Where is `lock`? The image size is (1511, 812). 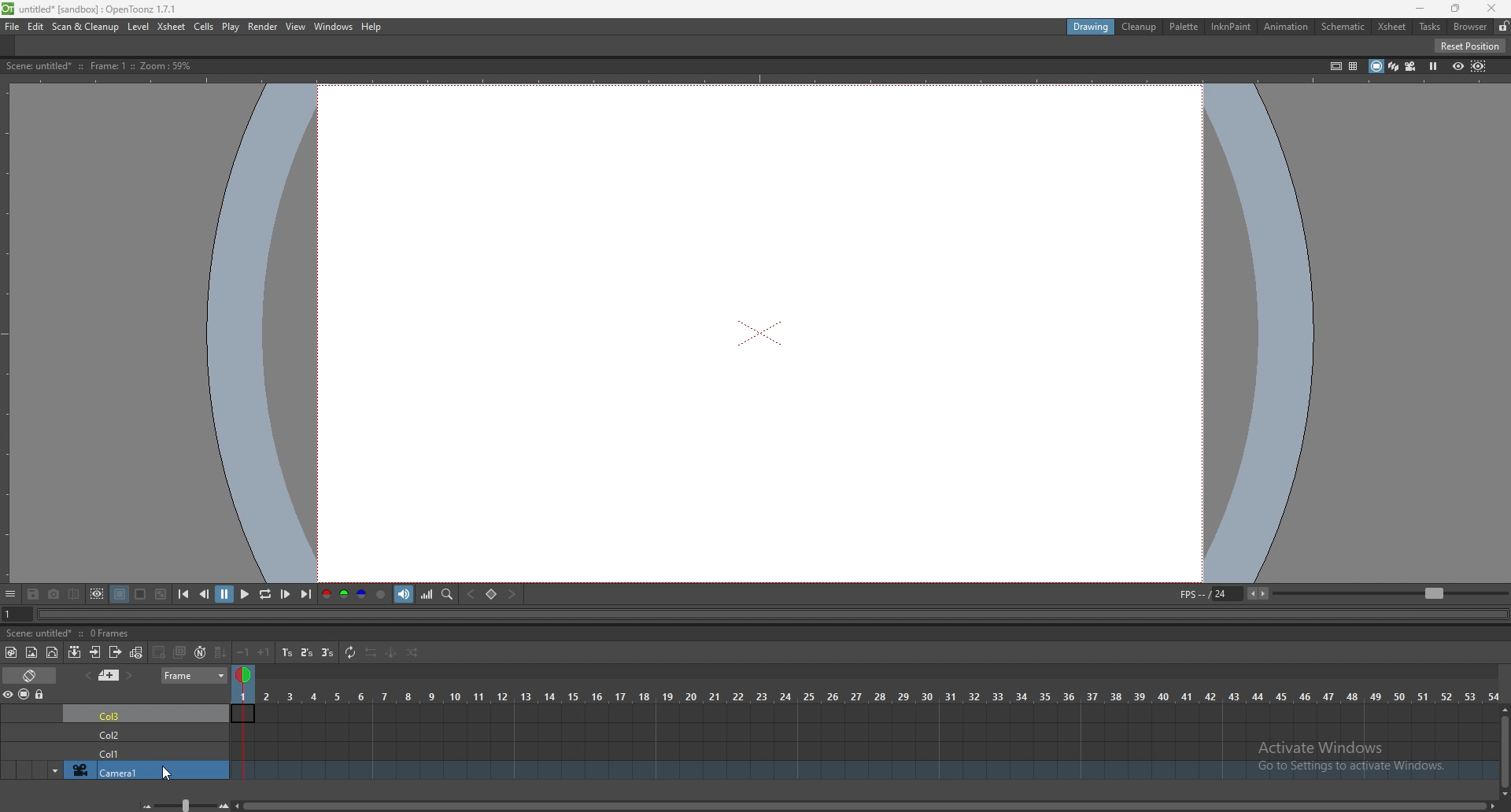 lock is located at coordinates (1503, 26).